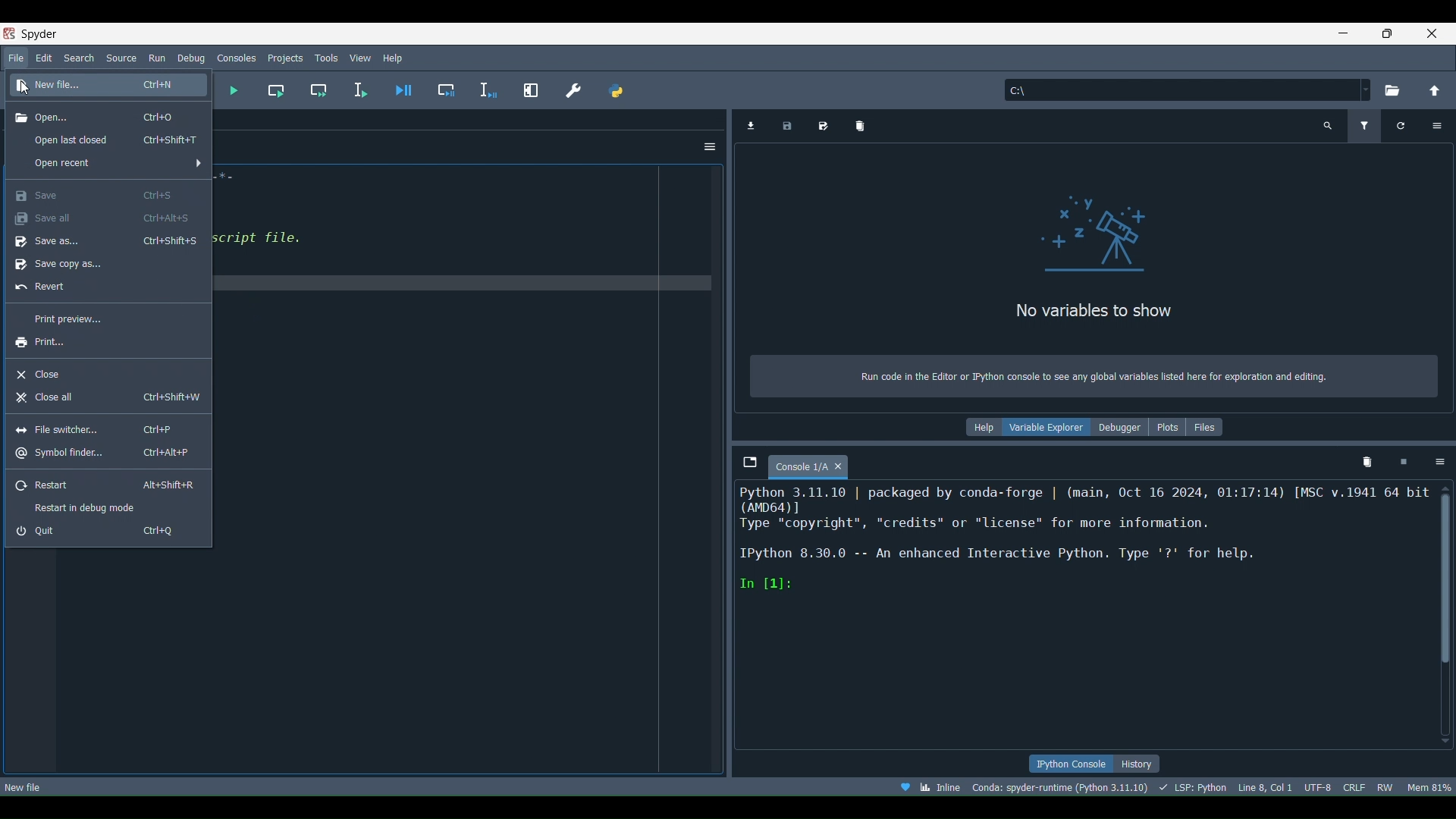  Describe the element at coordinates (15, 58) in the screenshot. I see `File` at that location.